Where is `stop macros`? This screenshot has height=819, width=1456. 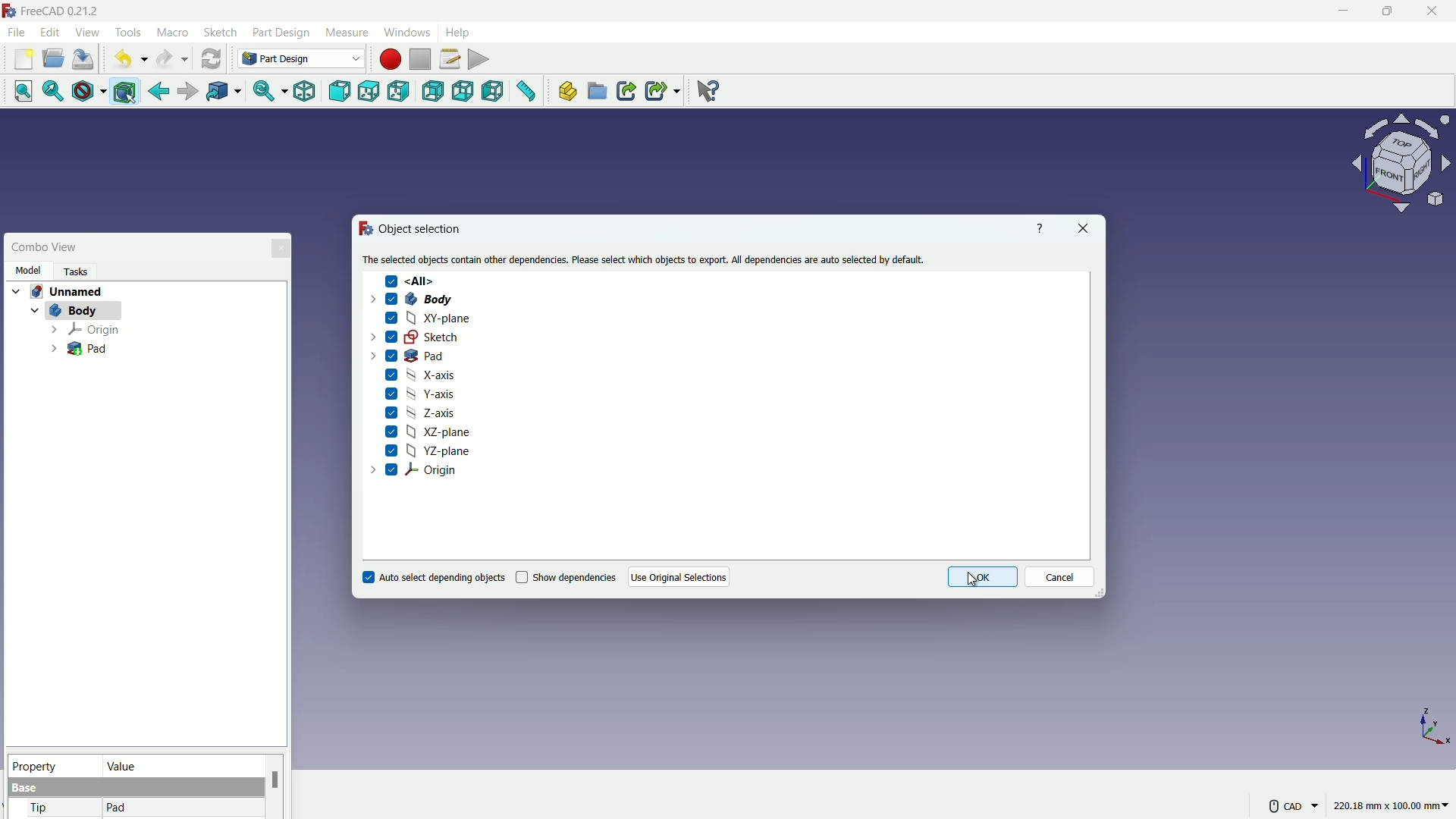
stop macros is located at coordinates (420, 60).